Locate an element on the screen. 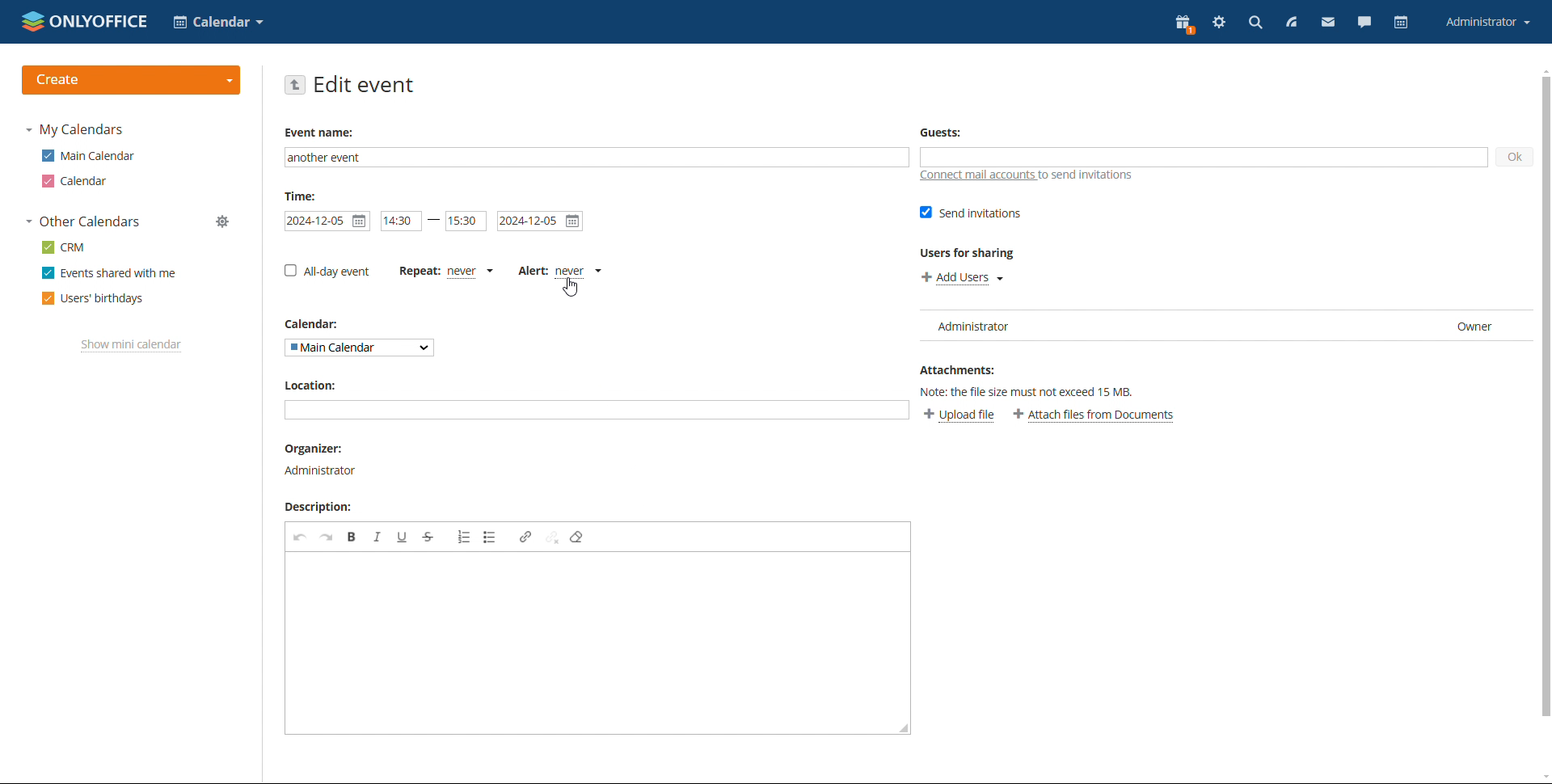 The image size is (1552, 784). add event name is located at coordinates (597, 158).